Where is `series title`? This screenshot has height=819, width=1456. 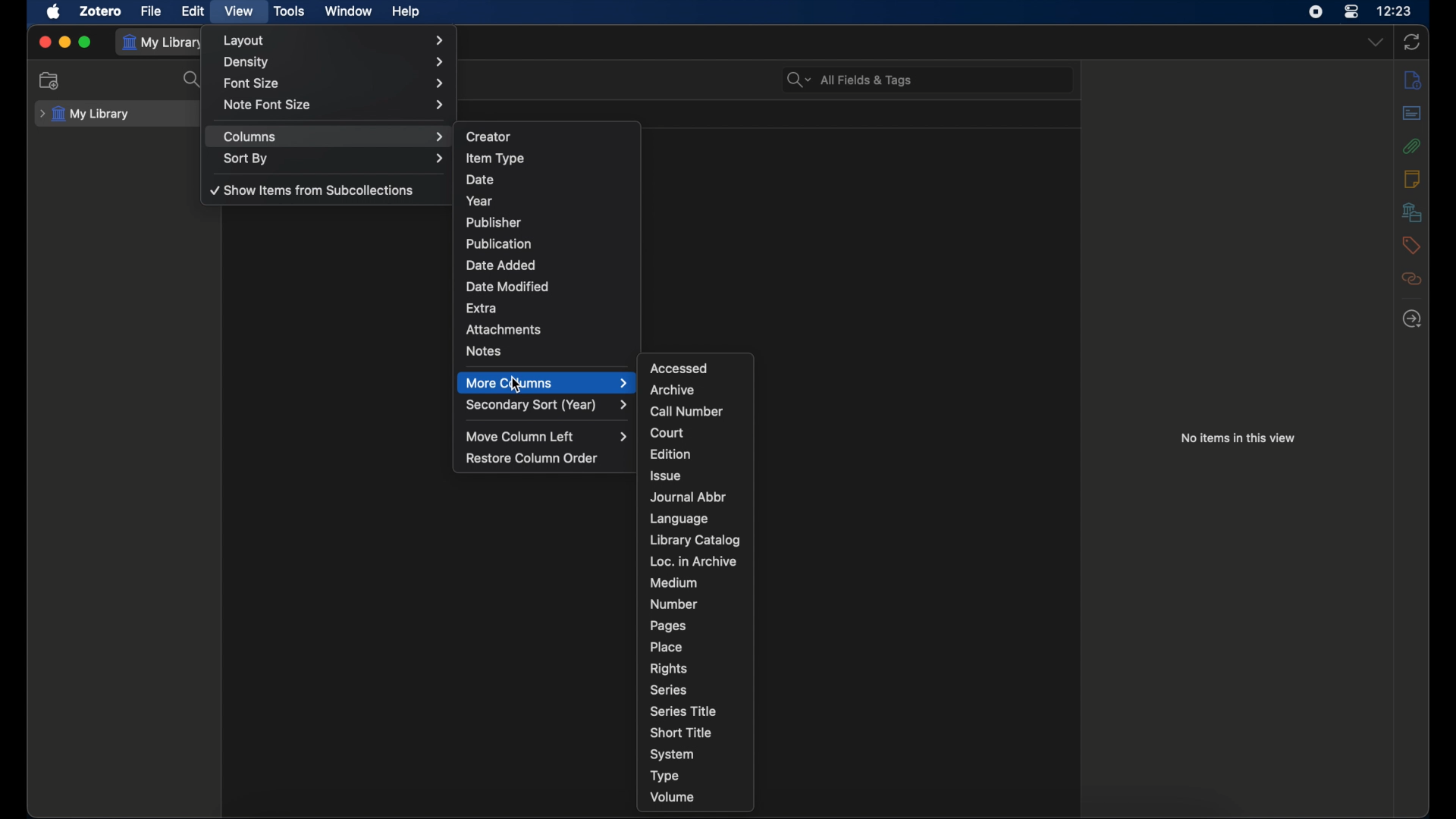 series title is located at coordinates (683, 711).